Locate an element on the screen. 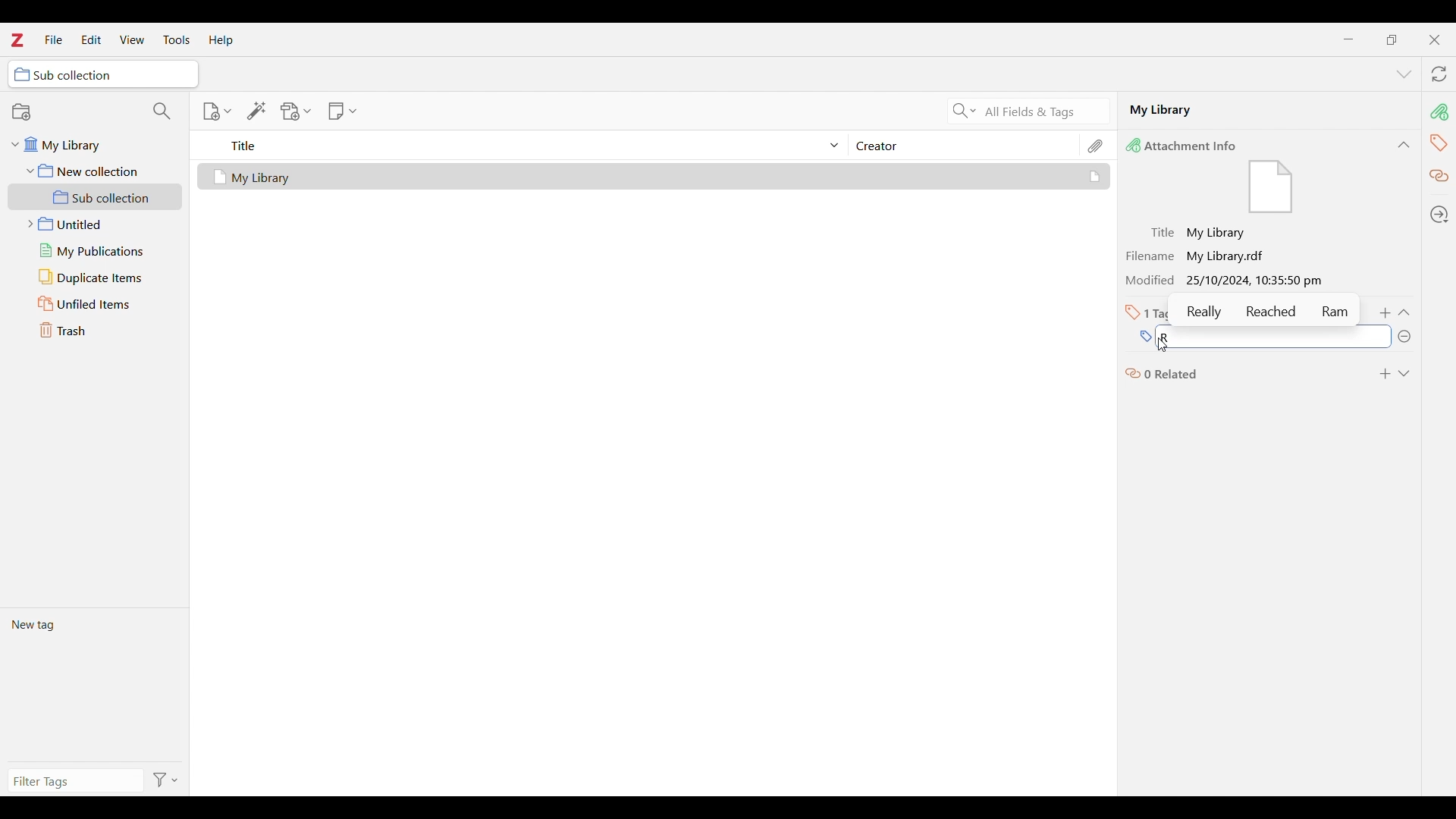 This screenshot has width=1456, height=819. New note options is located at coordinates (343, 111).